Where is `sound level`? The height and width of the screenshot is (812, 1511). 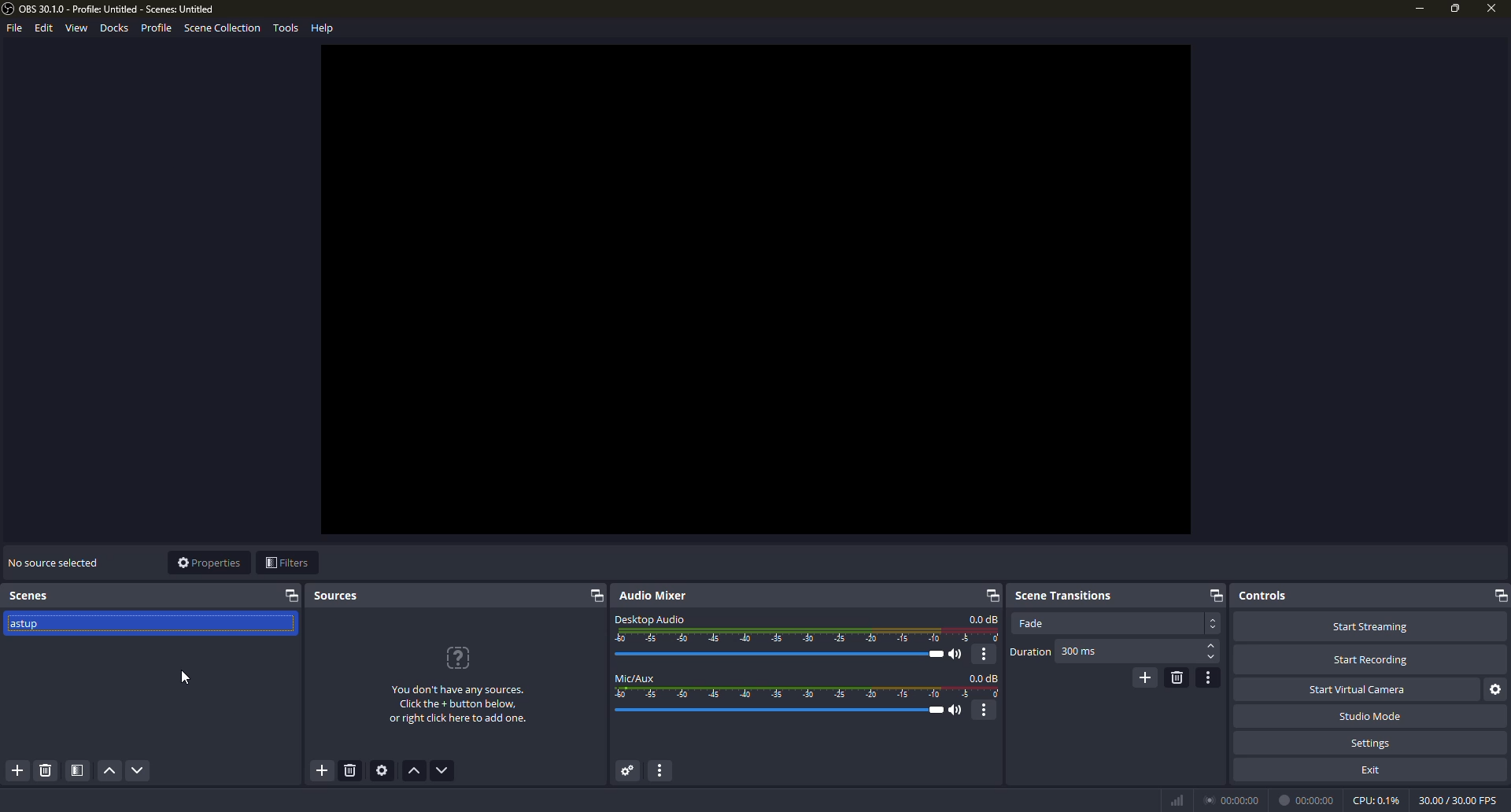
sound level is located at coordinates (783, 710).